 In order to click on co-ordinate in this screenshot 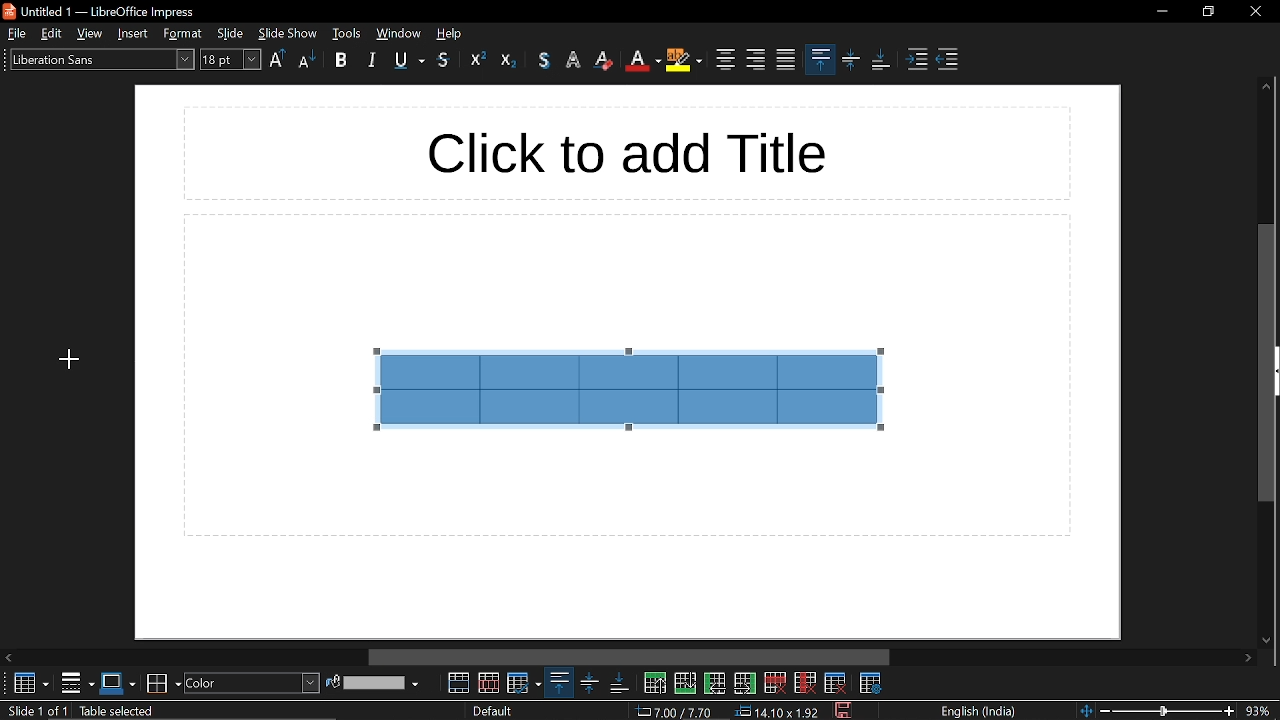, I will do `click(676, 712)`.